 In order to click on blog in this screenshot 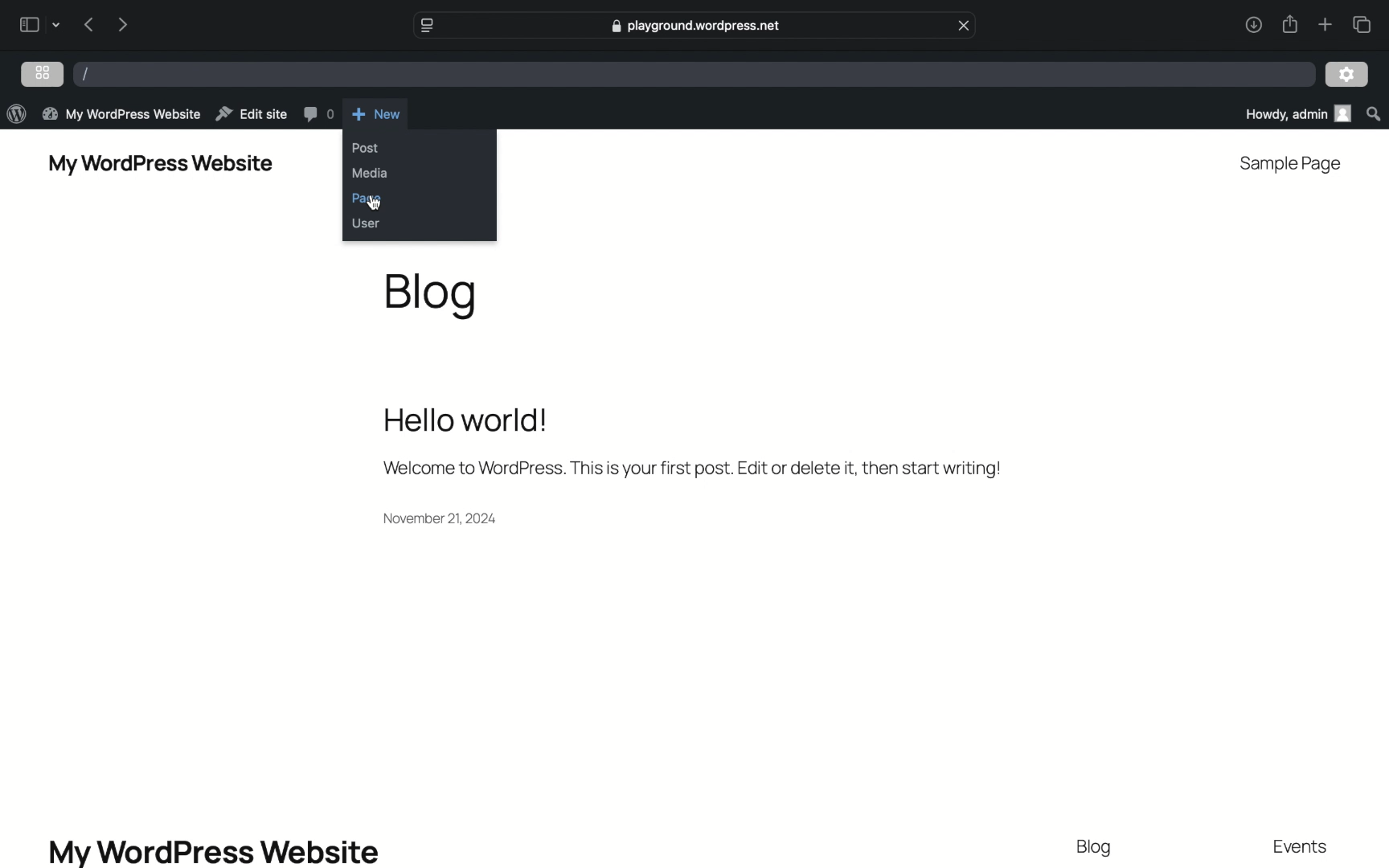, I will do `click(432, 295)`.